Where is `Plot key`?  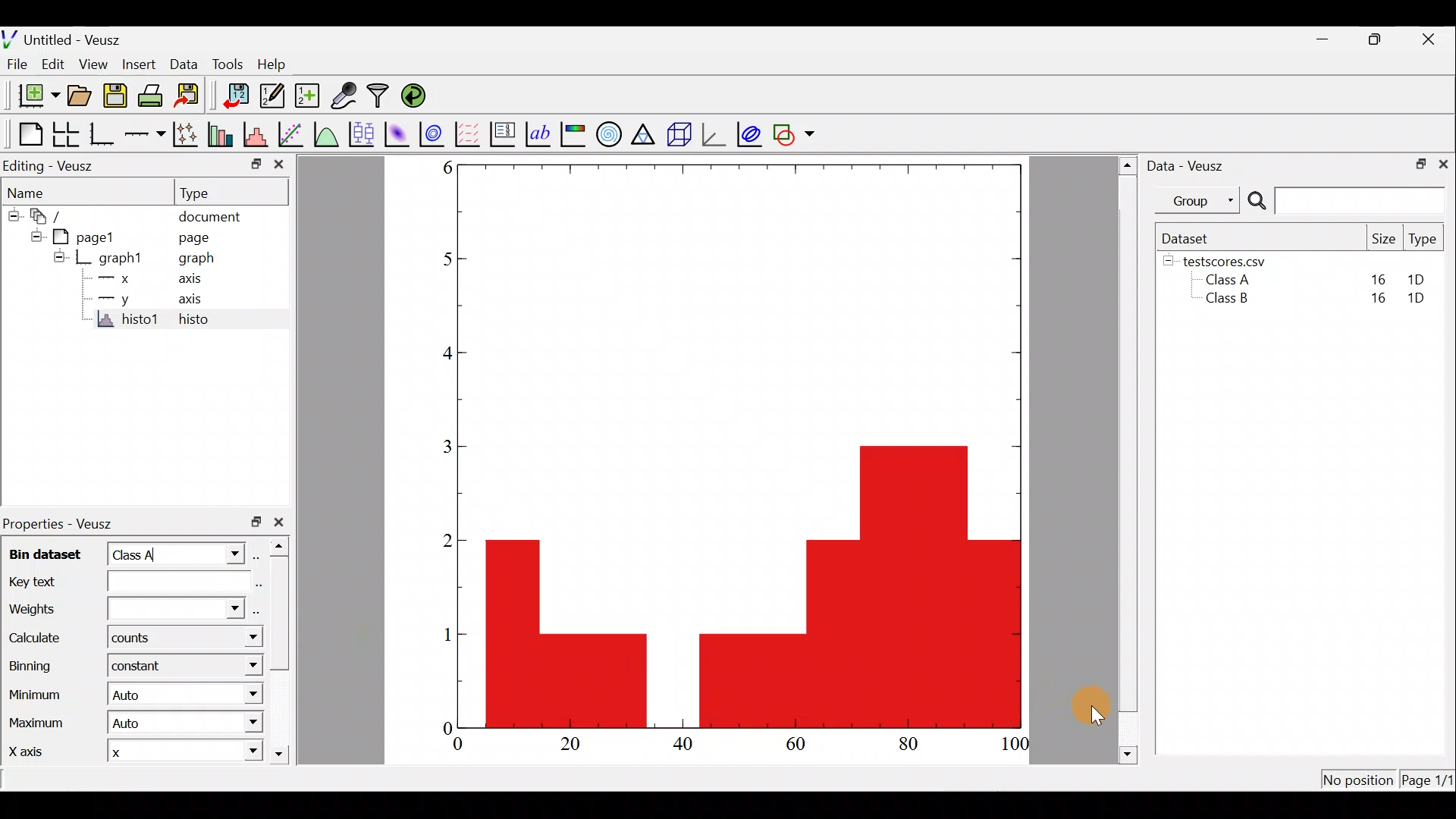 Plot key is located at coordinates (502, 134).